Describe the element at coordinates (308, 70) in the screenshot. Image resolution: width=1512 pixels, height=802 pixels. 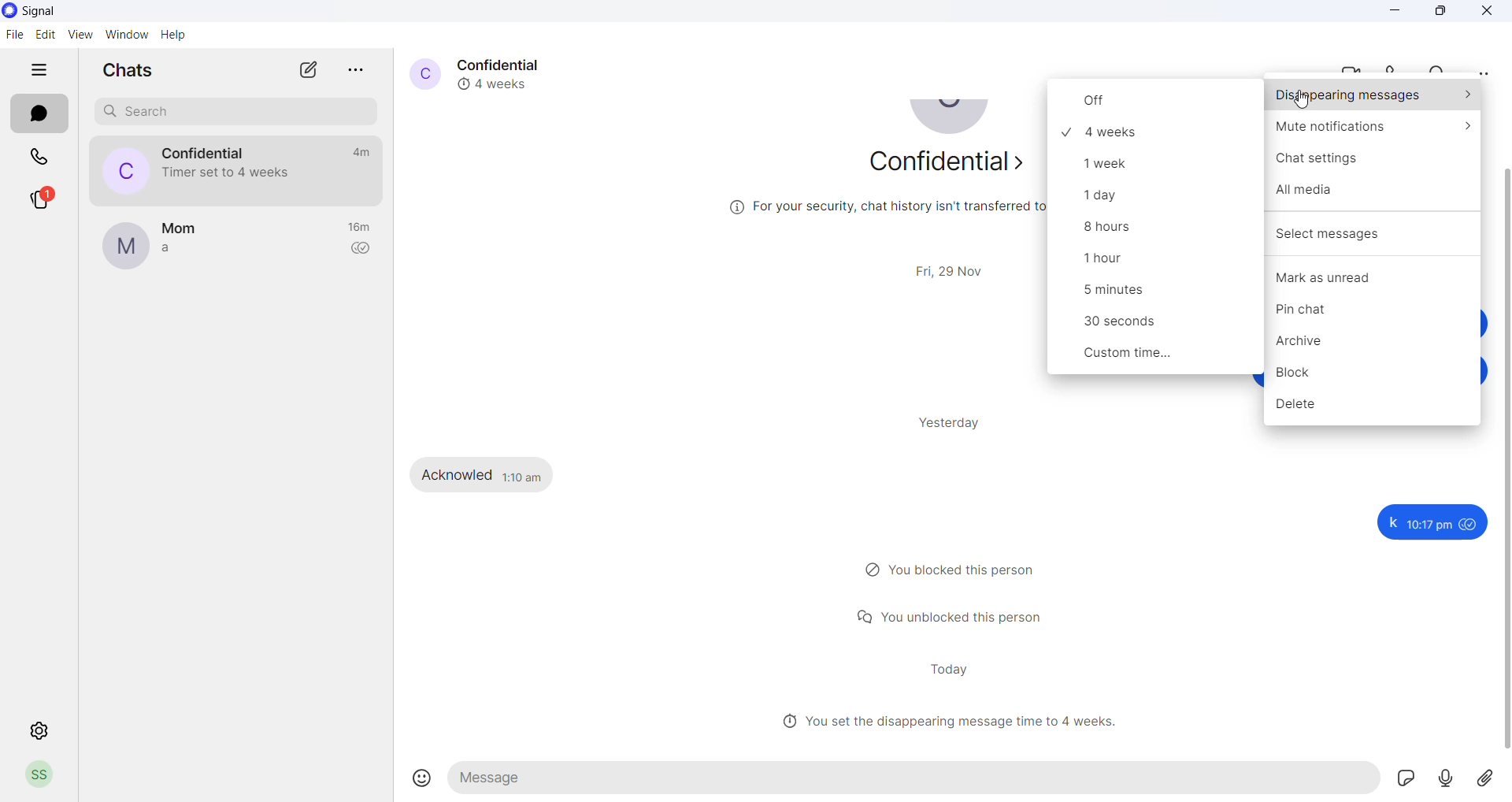
I see `new chat` at that location.